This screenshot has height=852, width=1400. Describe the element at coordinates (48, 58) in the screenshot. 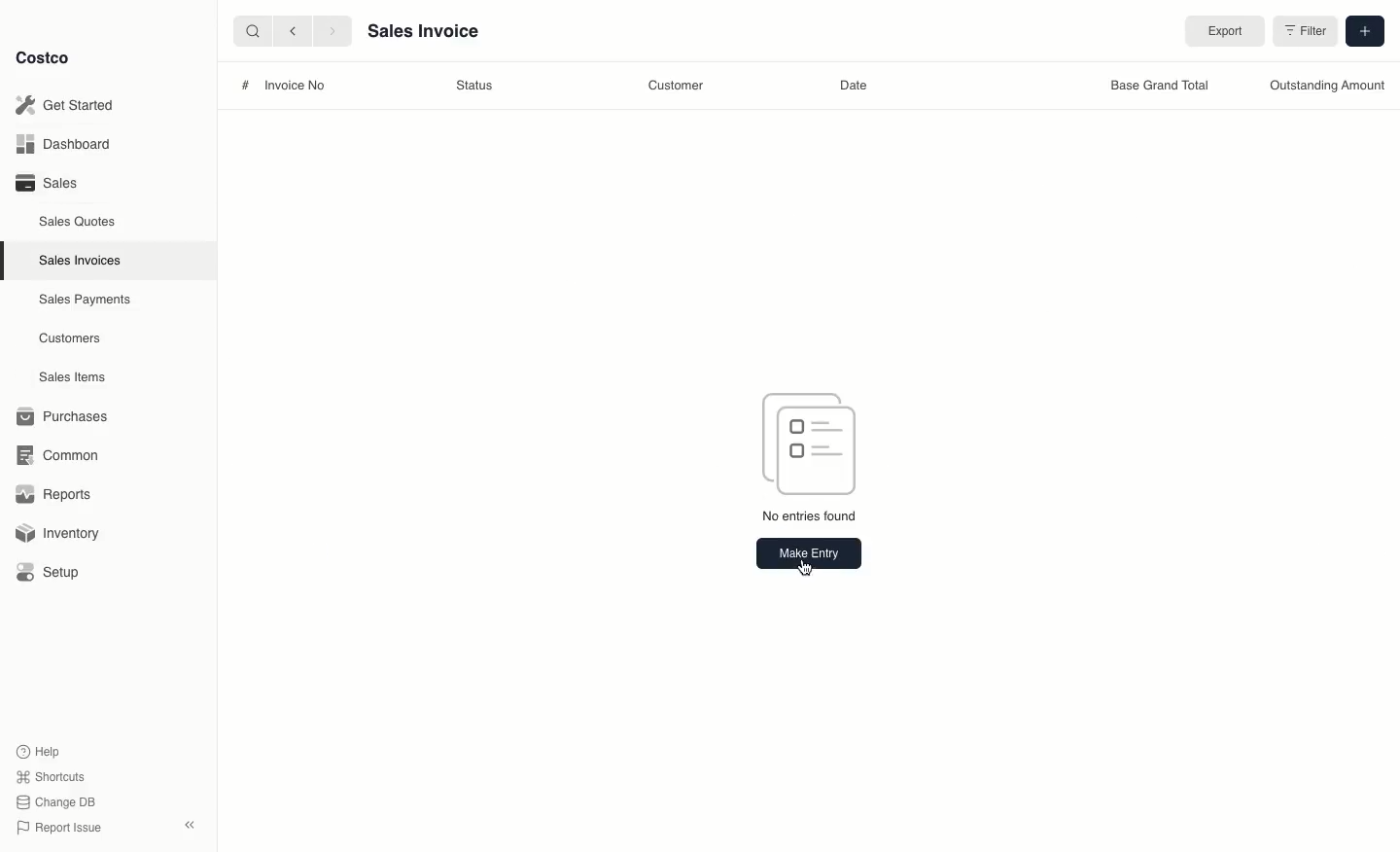

I see `Costco` at that location.